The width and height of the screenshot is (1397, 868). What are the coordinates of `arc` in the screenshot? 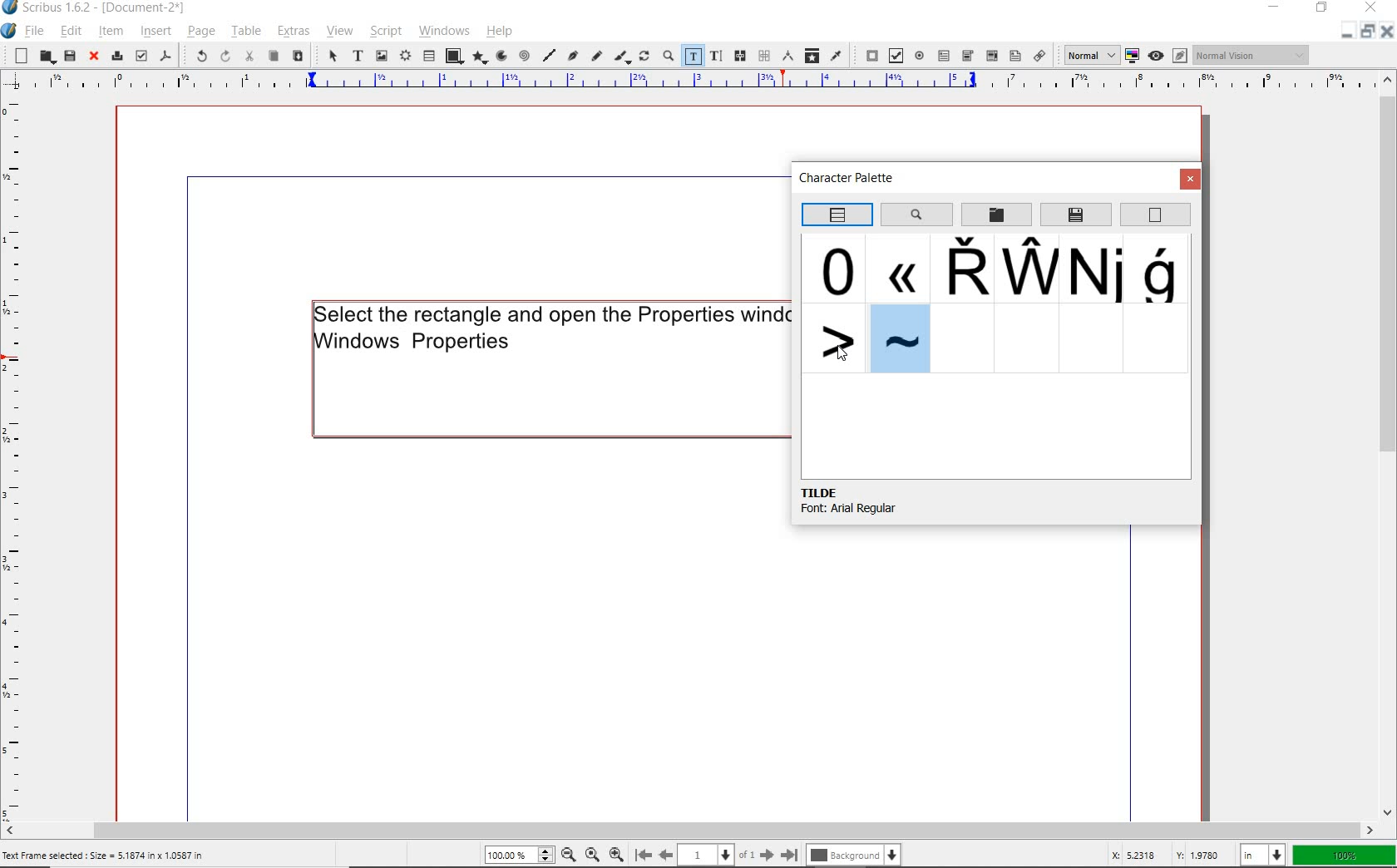 It's located at (501, 56).